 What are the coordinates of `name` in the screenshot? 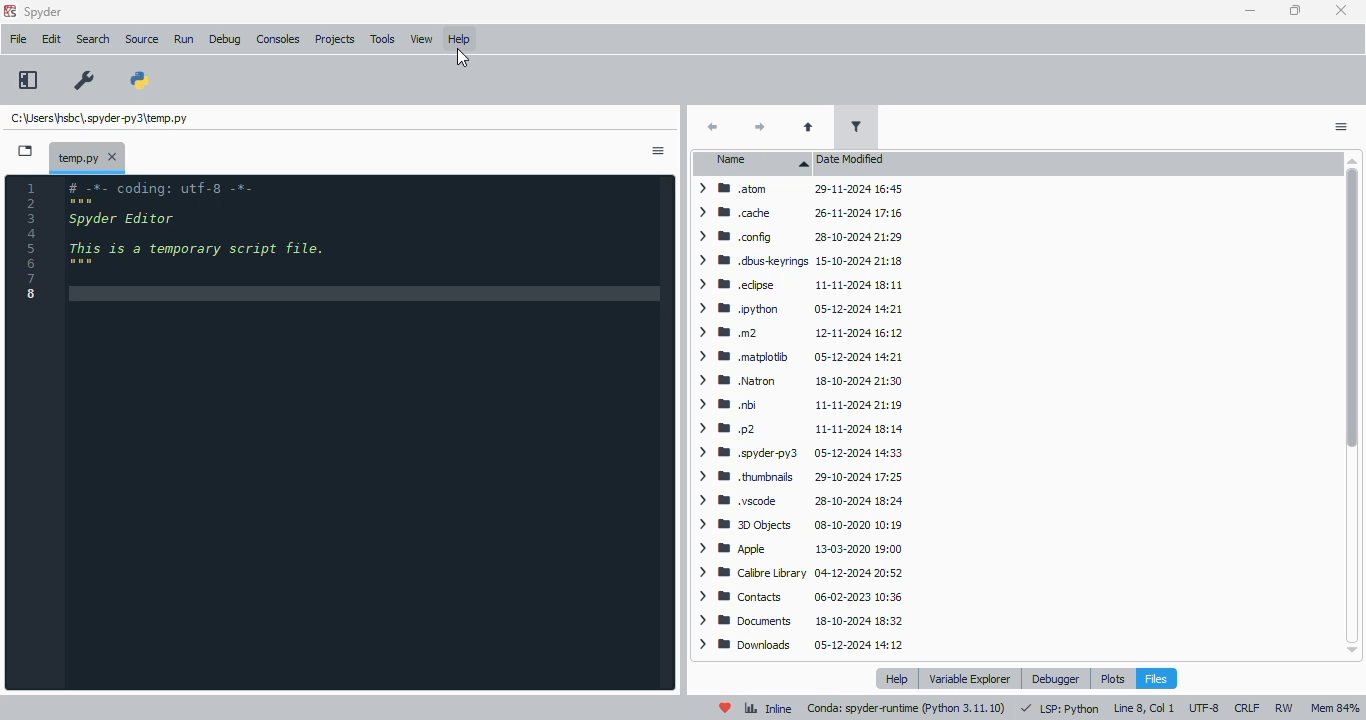 It's located at (751, 161).